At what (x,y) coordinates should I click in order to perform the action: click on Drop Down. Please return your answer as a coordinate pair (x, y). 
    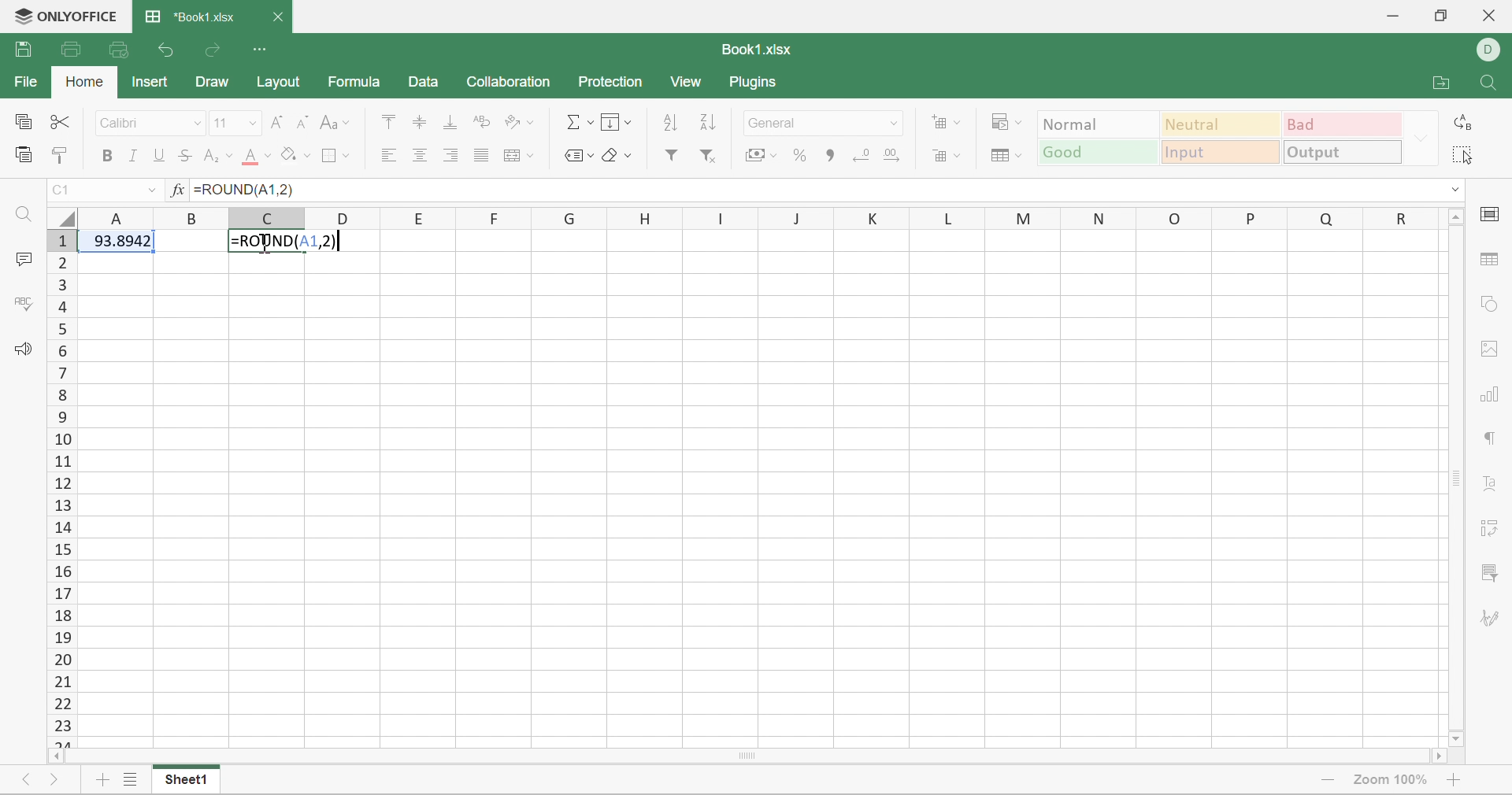
    Looking at the image, I should click on (893, 121).